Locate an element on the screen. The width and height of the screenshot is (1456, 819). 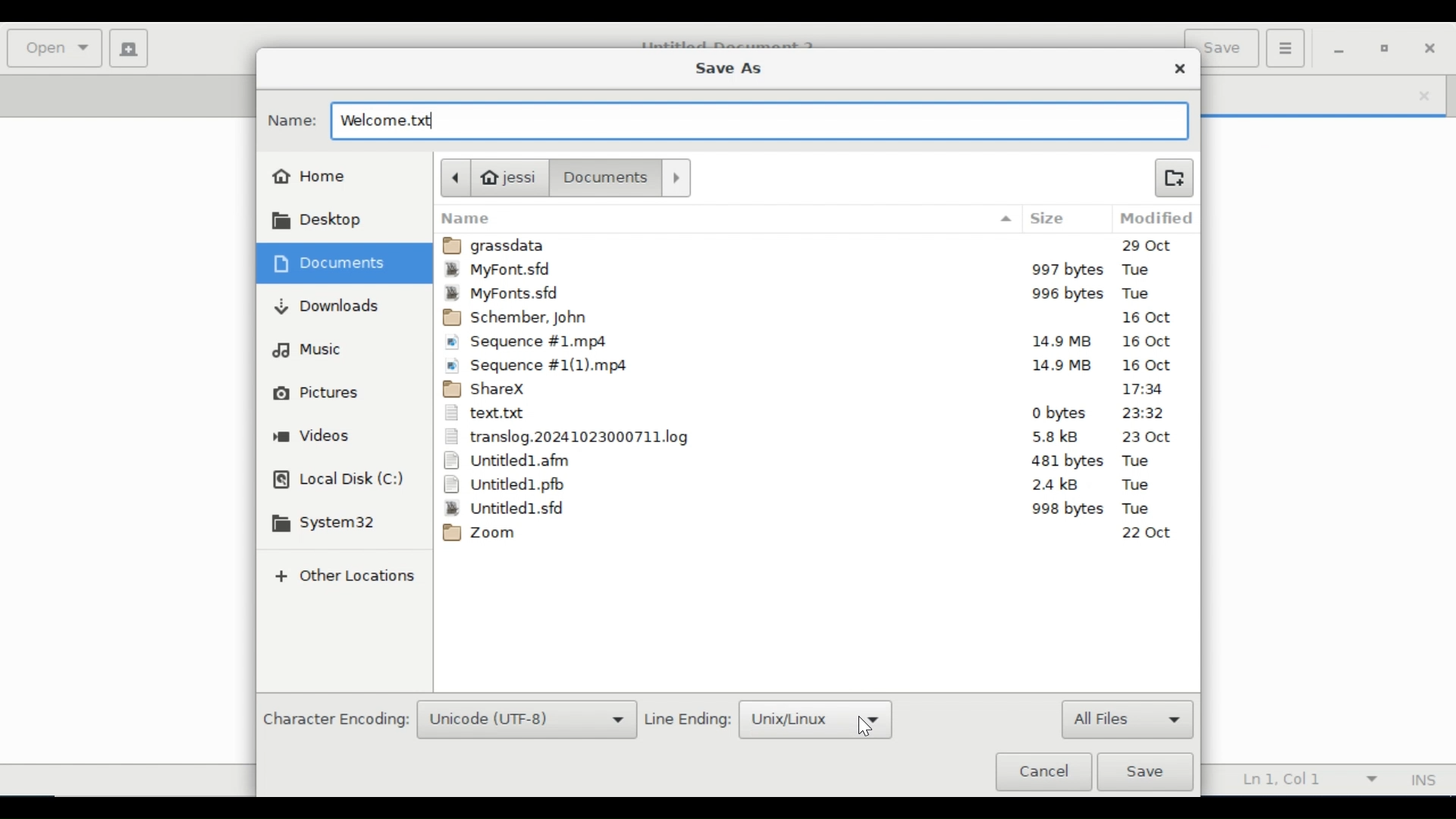
All files is located at coordinates (1128, 718).